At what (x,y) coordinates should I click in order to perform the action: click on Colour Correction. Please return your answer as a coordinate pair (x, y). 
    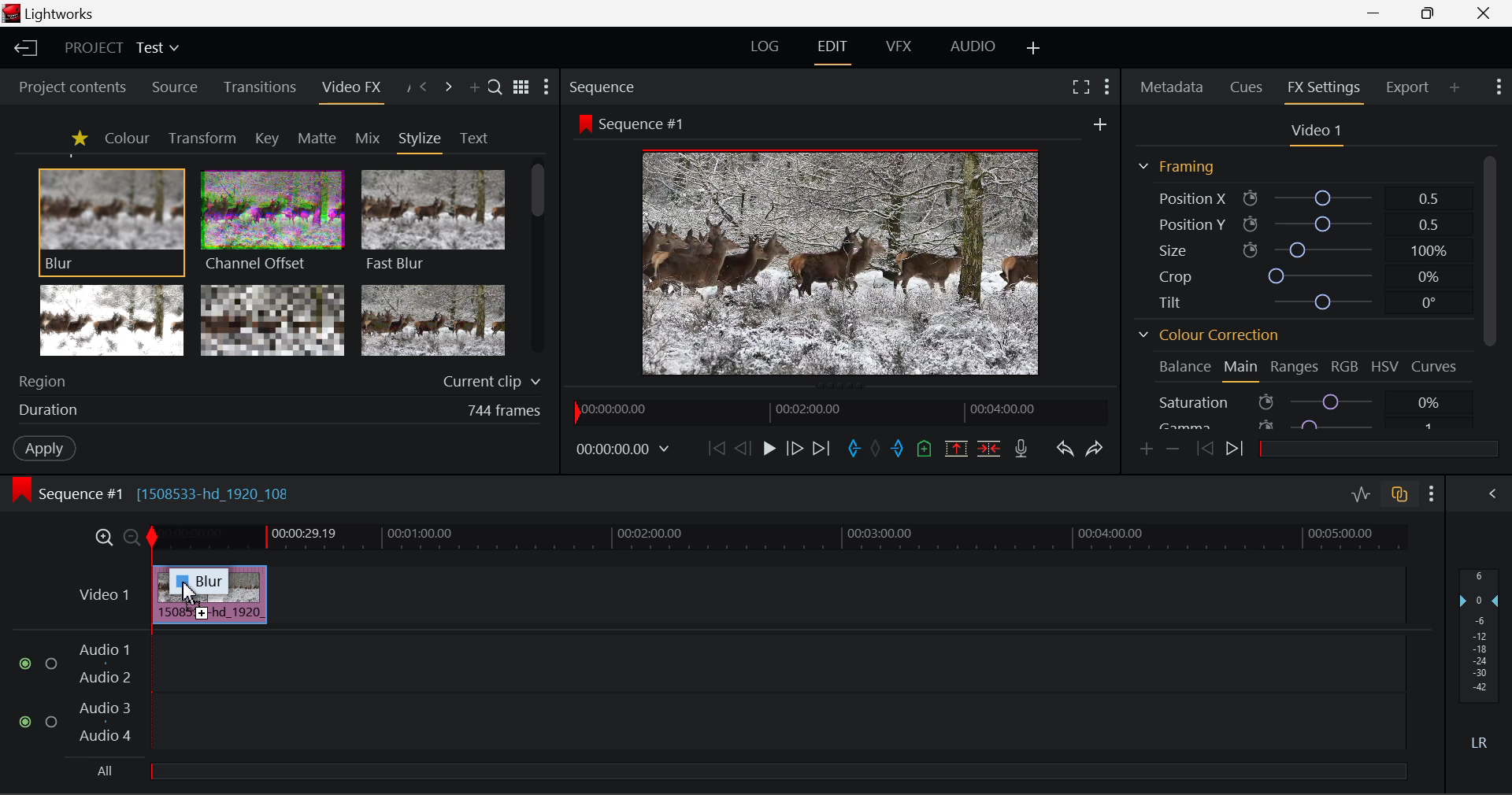
    Looking at the image, I should click on (1209, 334).